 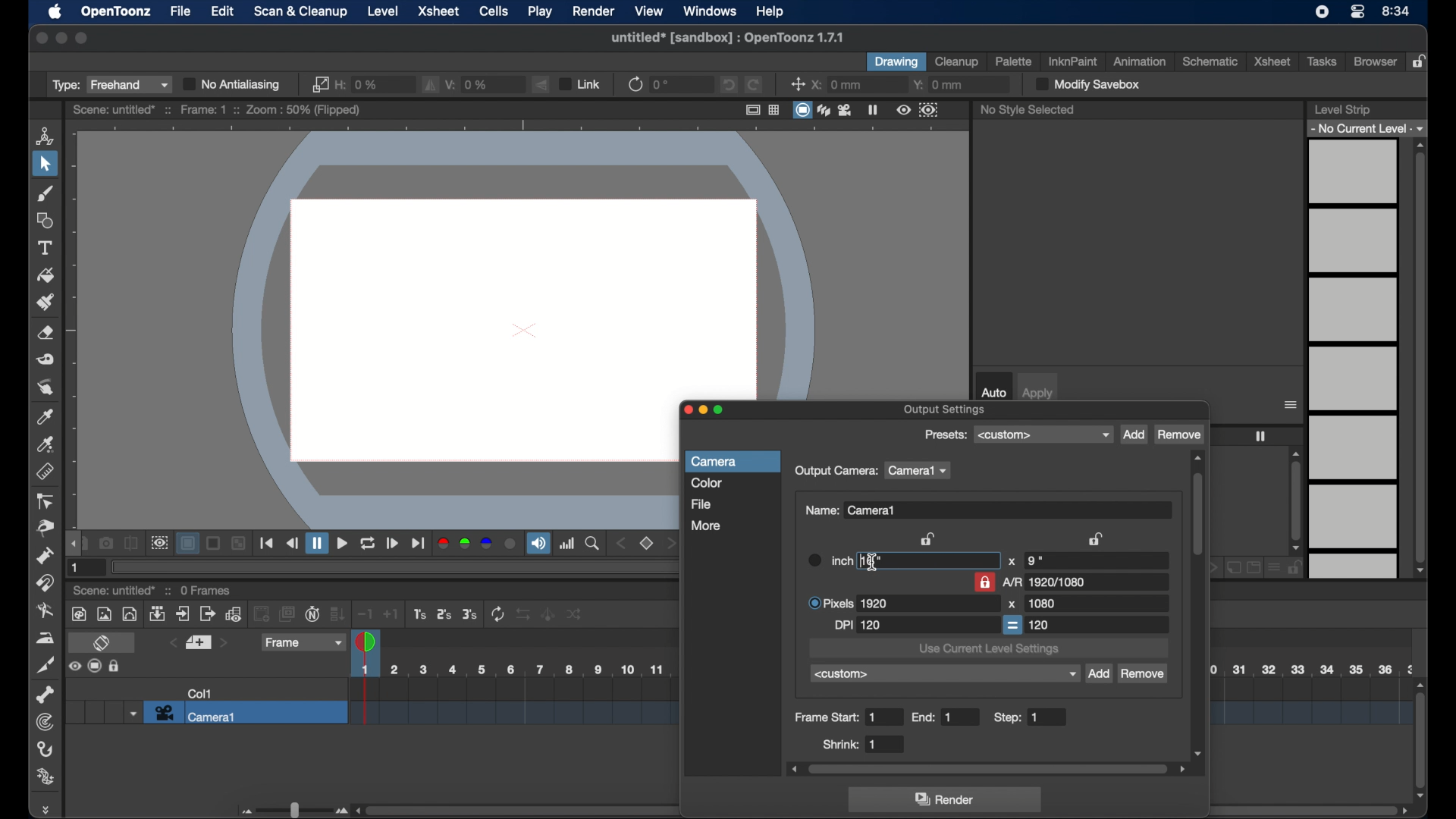 What do you see at coordinates (526, 614) in the screenshot?
I see `` at bounding box center [526, 614].